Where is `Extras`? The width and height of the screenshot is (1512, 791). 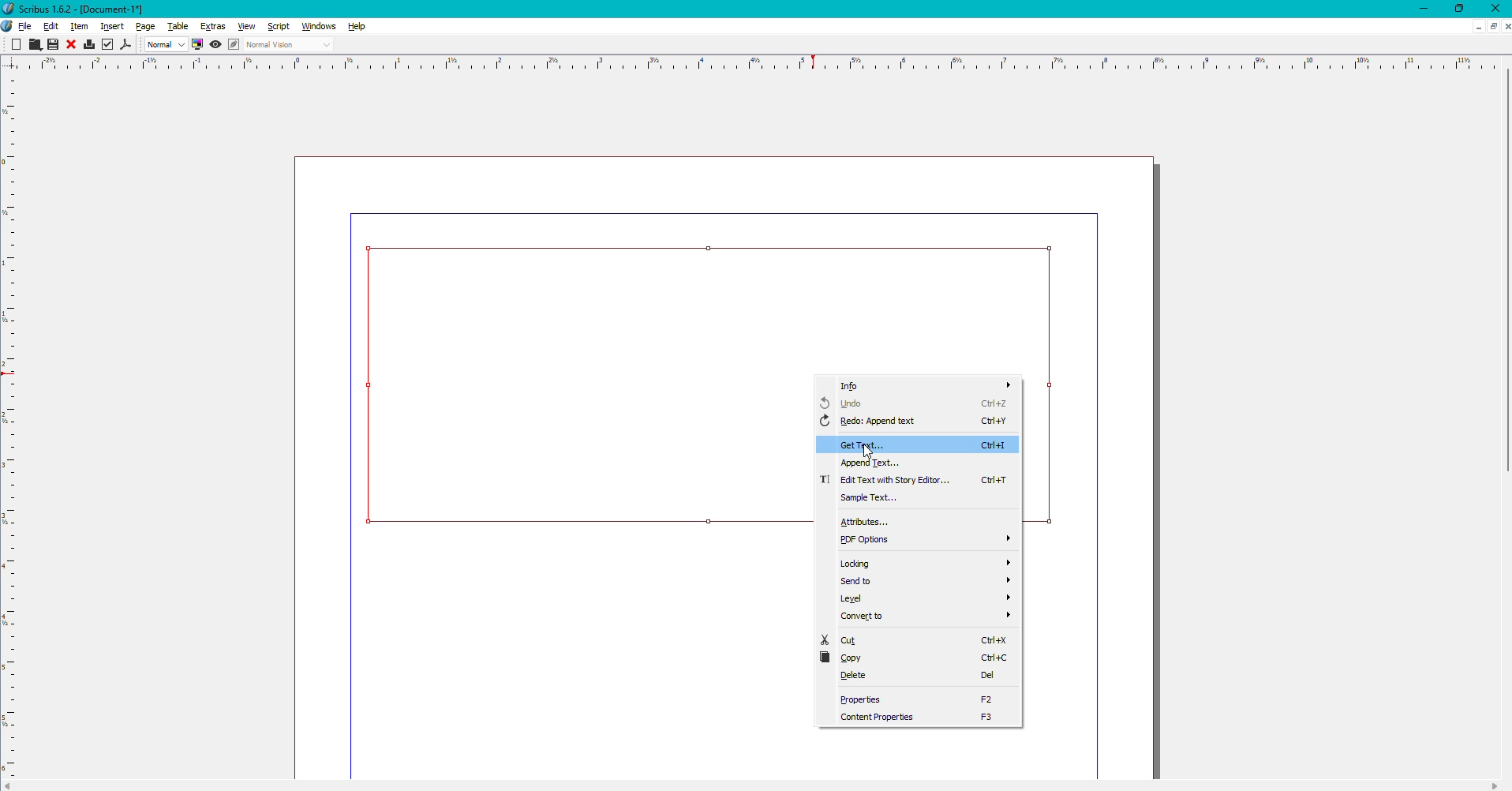
Extras is located at coordinates (212, 27).